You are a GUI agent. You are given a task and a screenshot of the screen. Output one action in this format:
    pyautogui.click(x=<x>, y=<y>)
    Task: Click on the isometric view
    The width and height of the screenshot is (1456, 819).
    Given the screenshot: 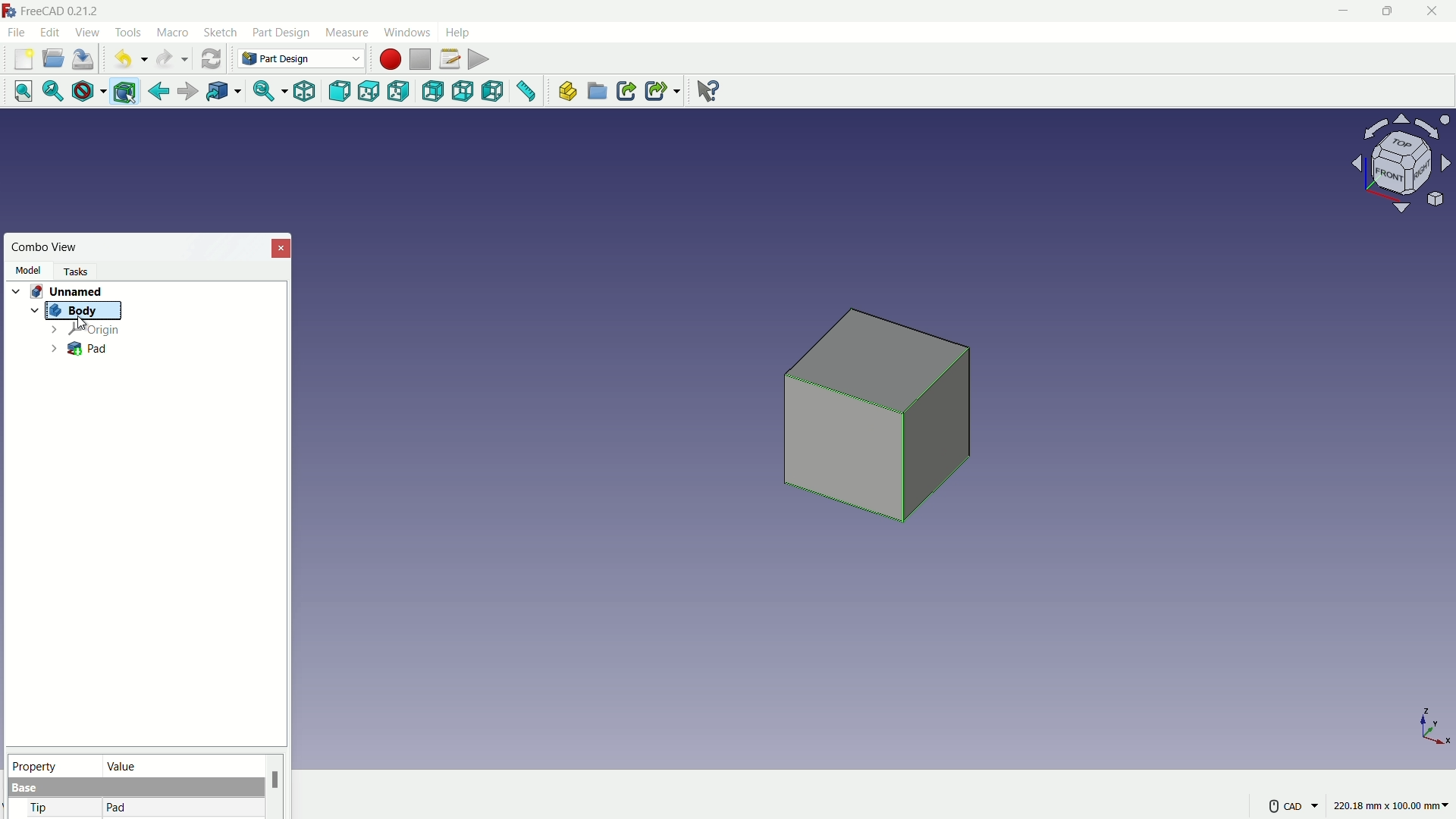 What is the action you would take?
    pyautogui.click(x=304, y=93)
    